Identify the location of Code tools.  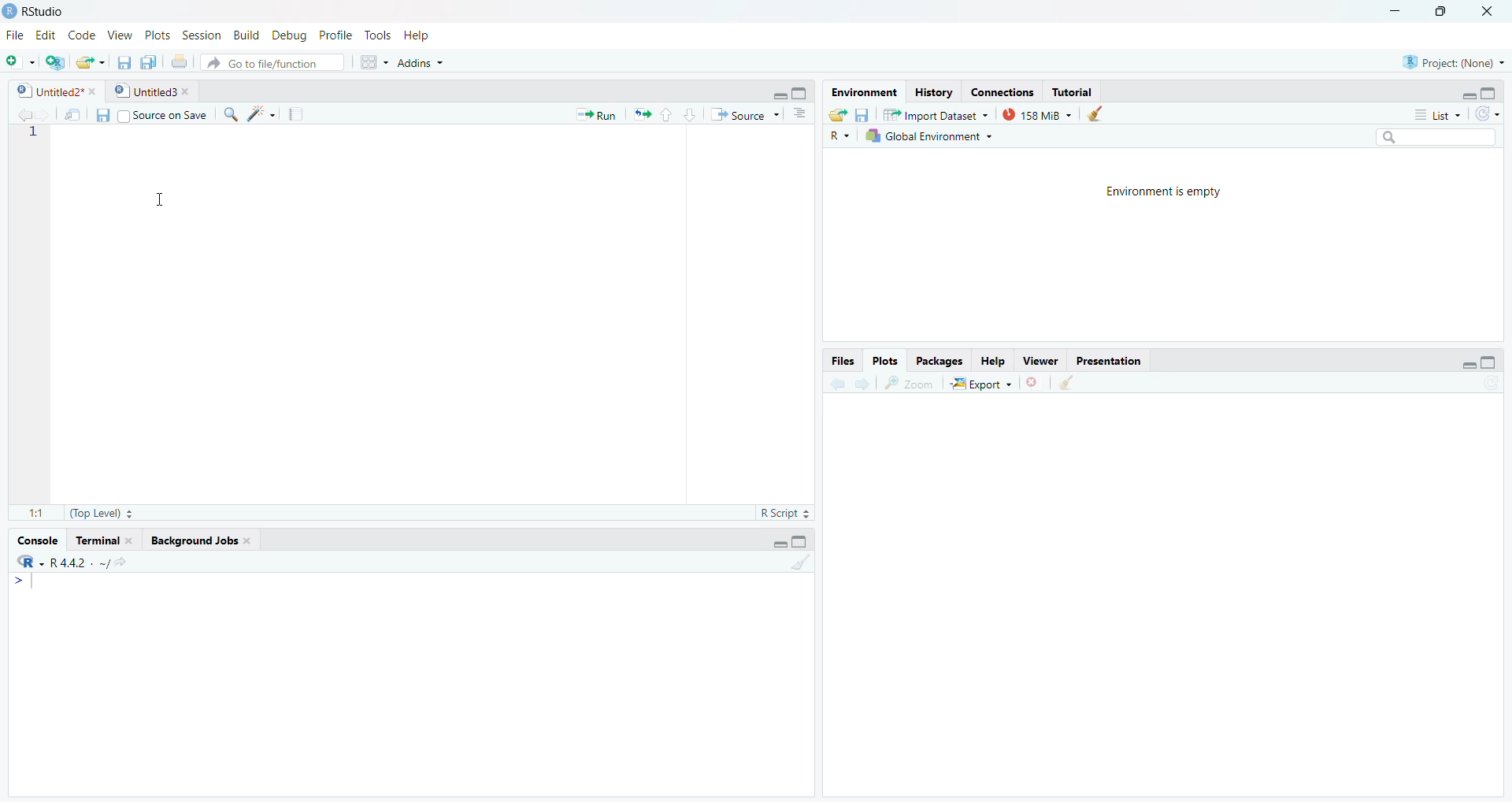
(260, 115).